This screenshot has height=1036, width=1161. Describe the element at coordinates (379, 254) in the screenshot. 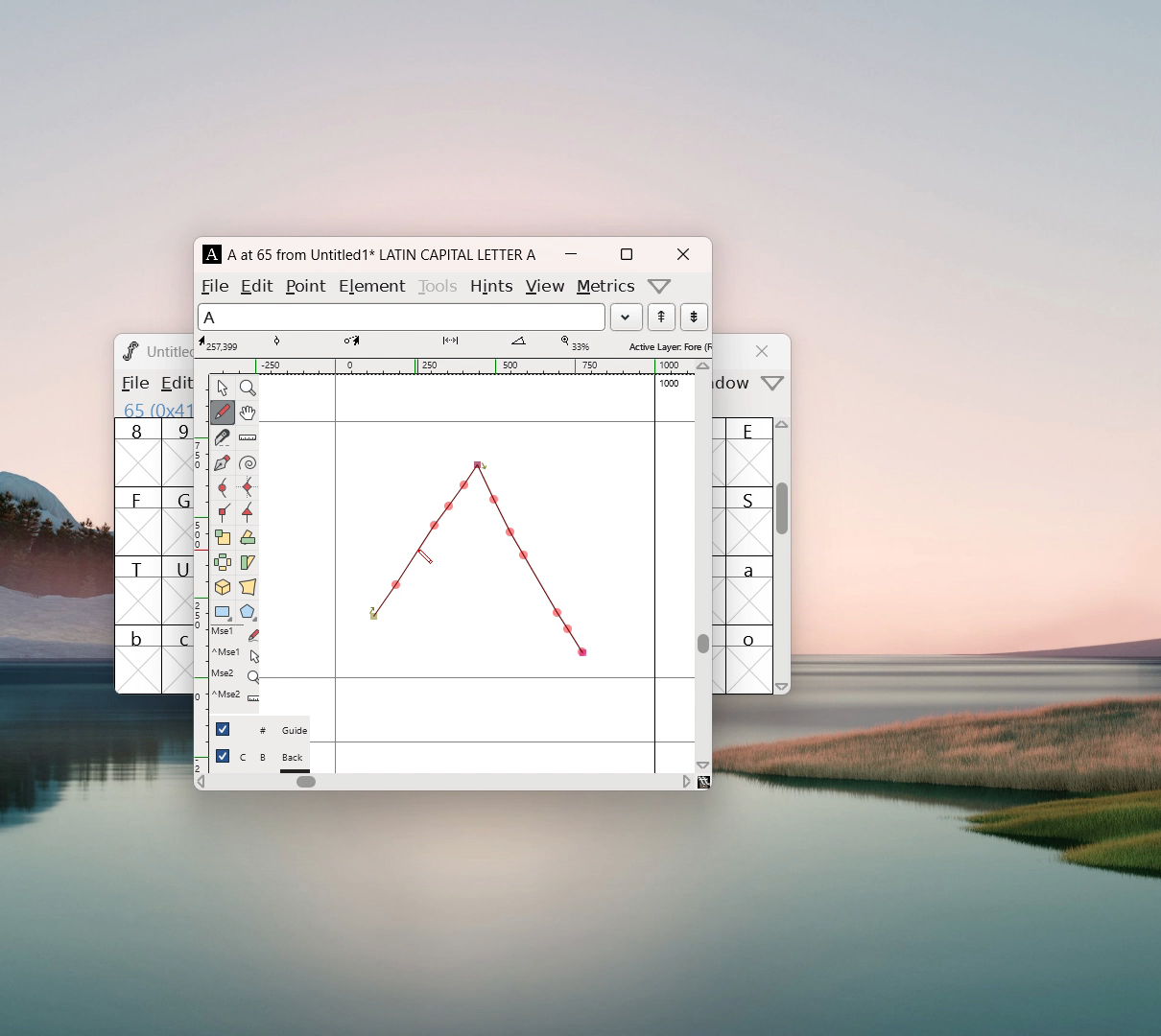

I see `A at 65 from Untitled1 LATIN CAPITAL LETTER A` at that location.